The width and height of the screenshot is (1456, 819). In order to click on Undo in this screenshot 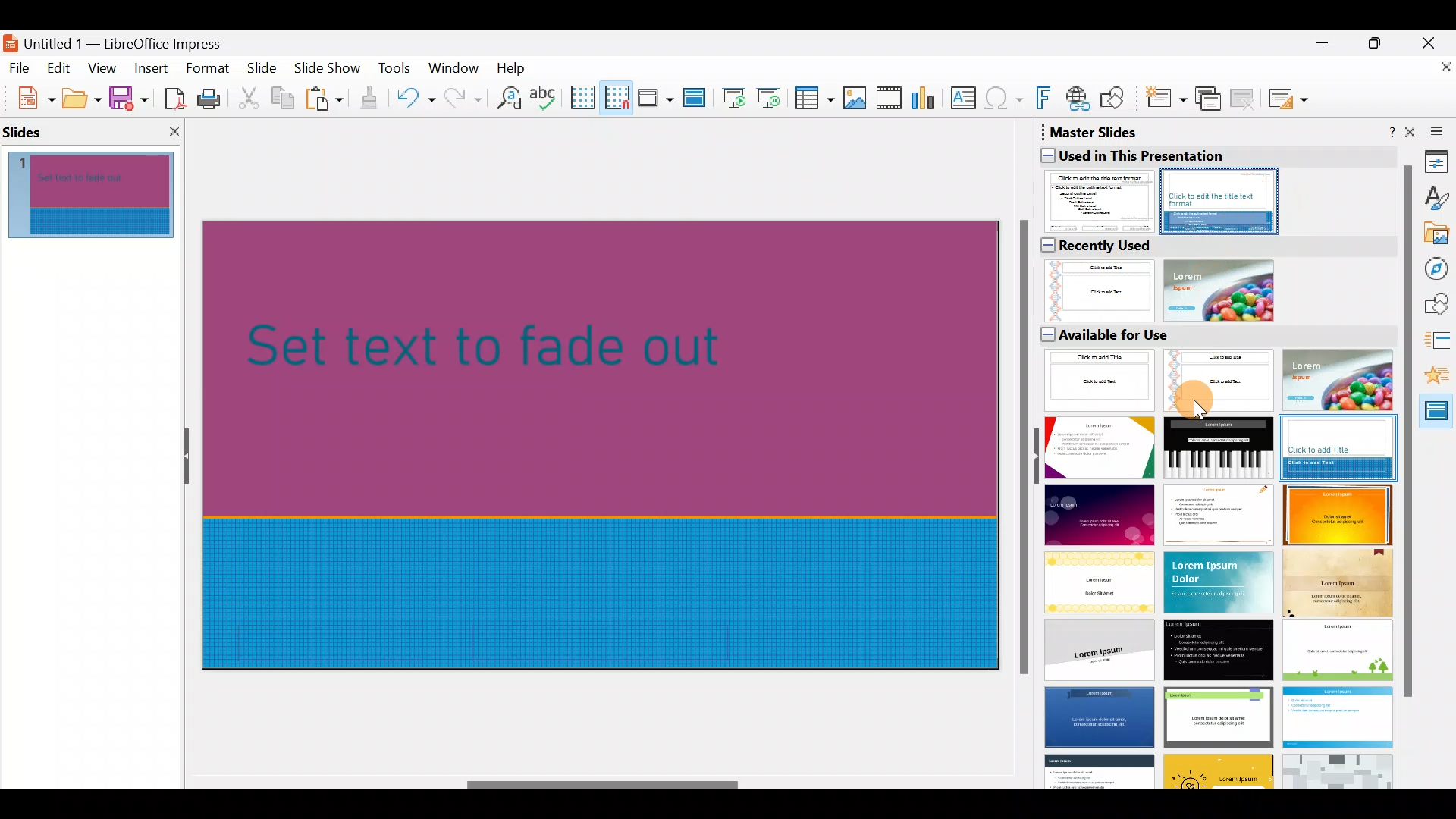, I will do `click(416, 101)`.